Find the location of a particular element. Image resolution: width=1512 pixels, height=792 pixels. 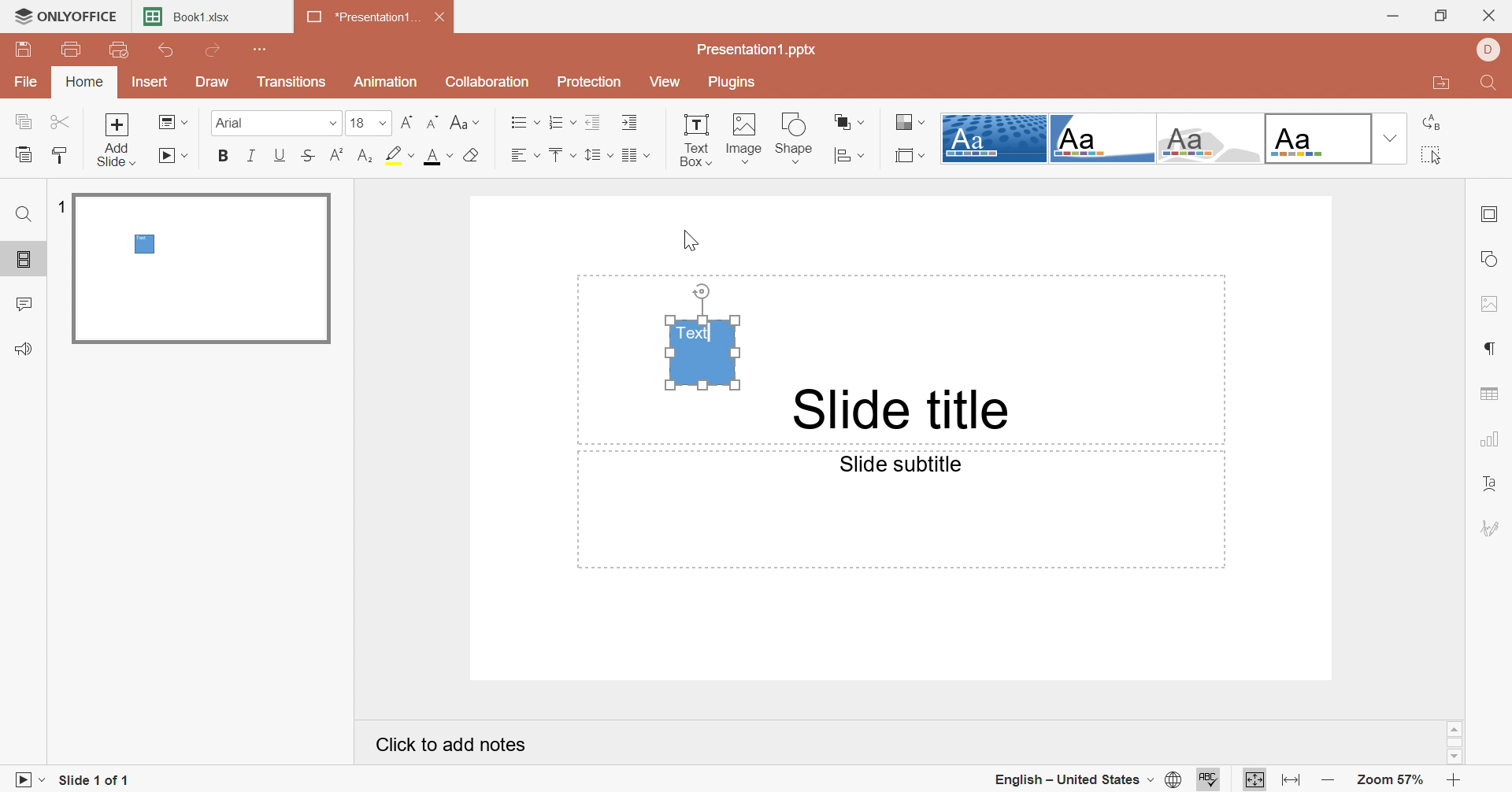

Plugins is located at coordinates (734, 83).